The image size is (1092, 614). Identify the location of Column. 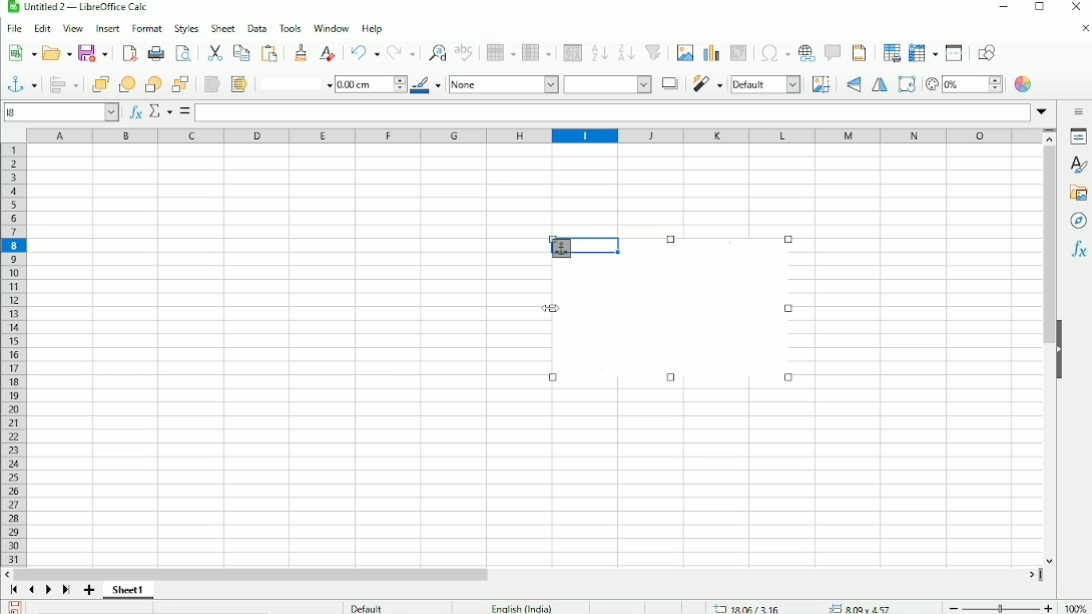
(538, 52).